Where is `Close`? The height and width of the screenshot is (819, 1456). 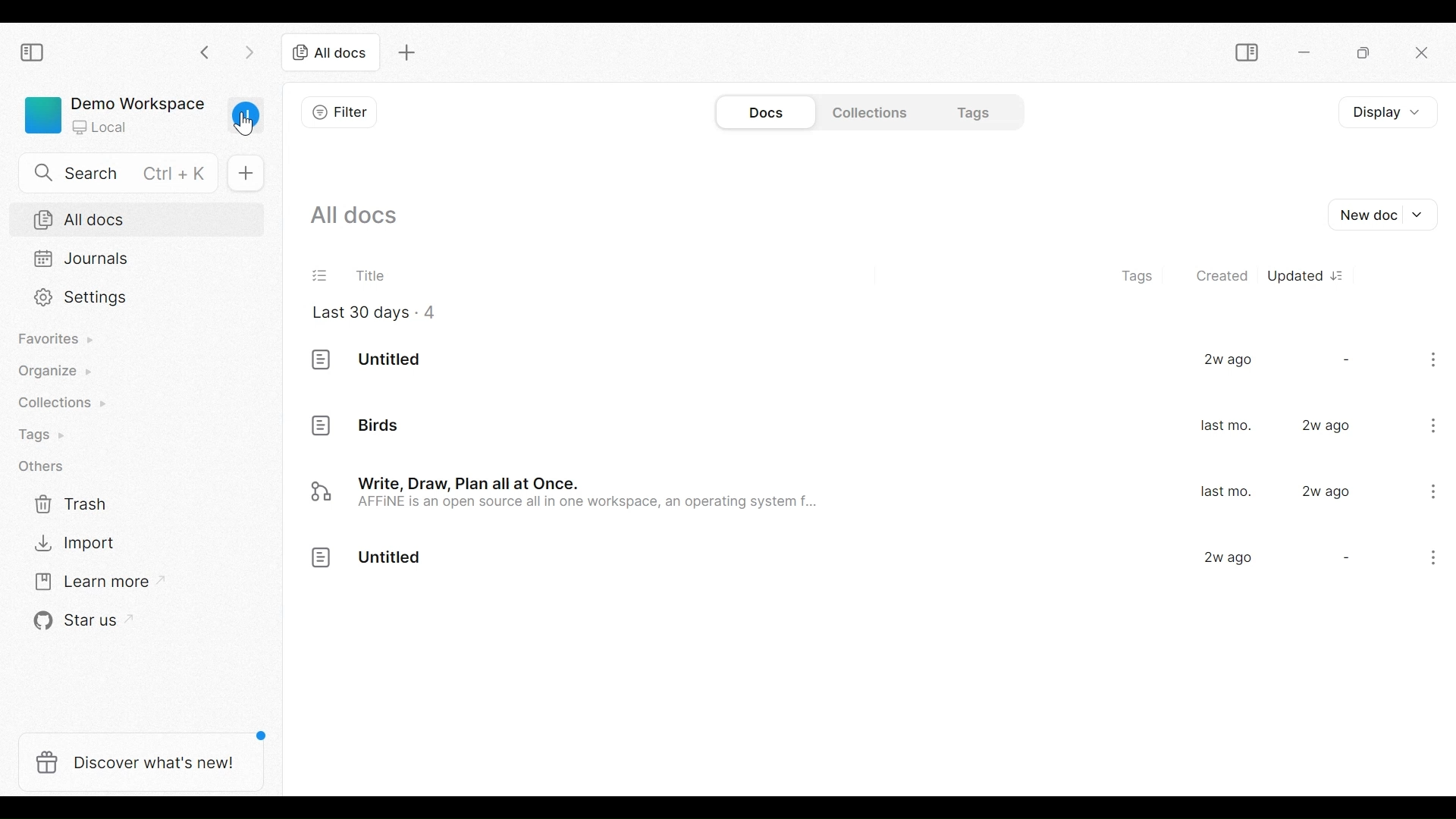 Close is located at coordinates (1423, 55).